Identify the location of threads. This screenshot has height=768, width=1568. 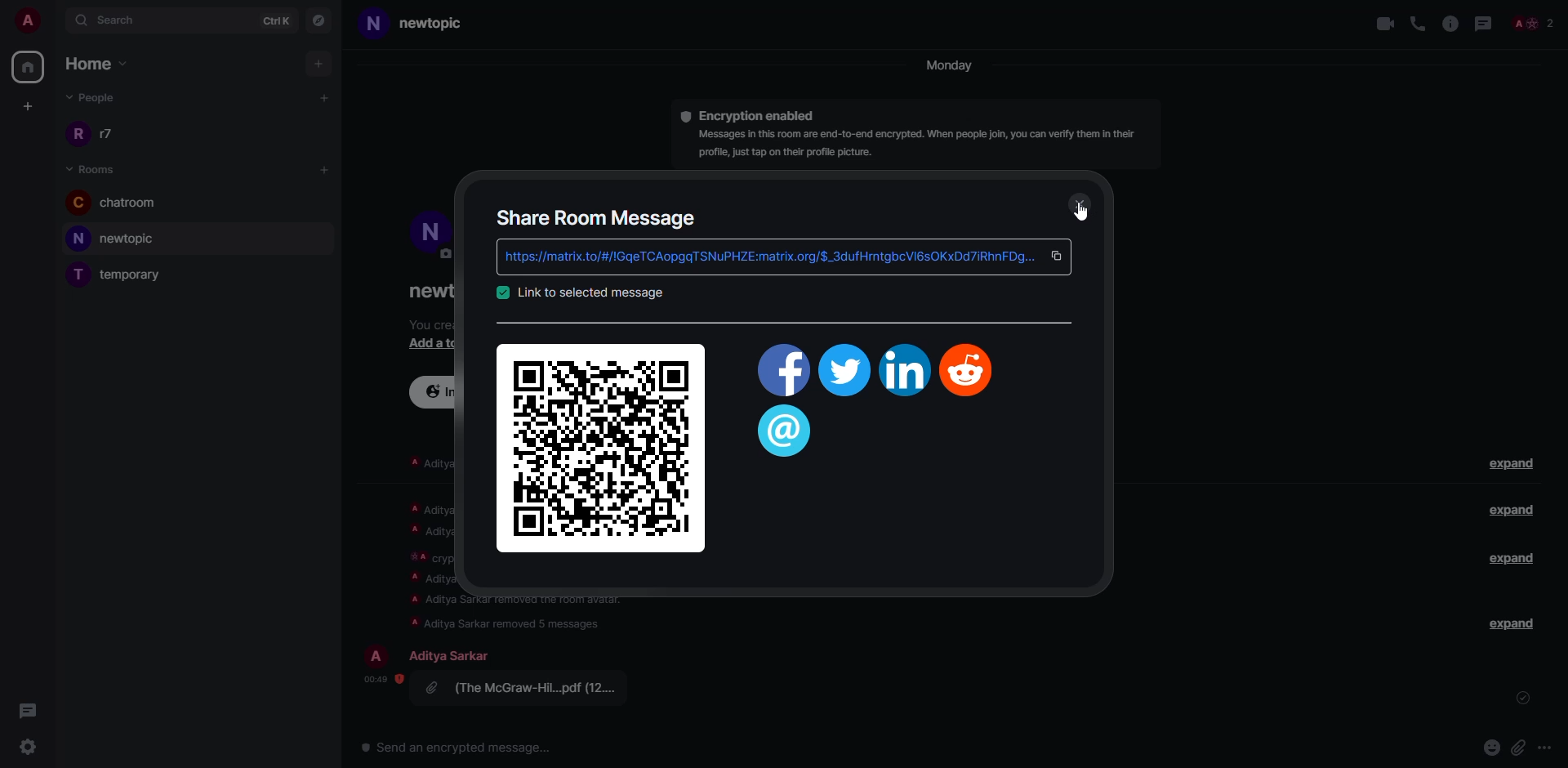
(785, 432).